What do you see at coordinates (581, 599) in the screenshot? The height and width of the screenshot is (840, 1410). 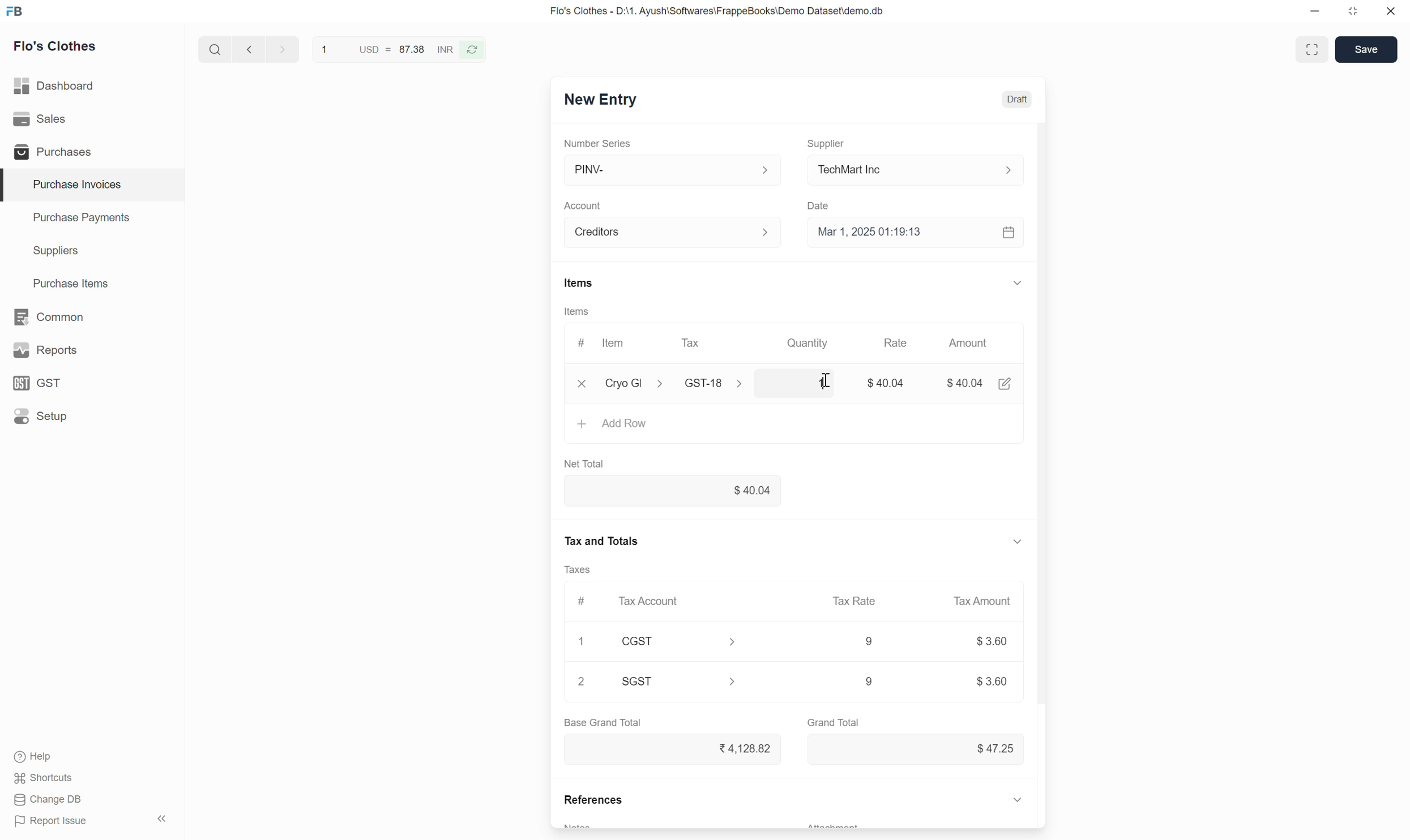 I see `#` at bounding box center [581, 599].